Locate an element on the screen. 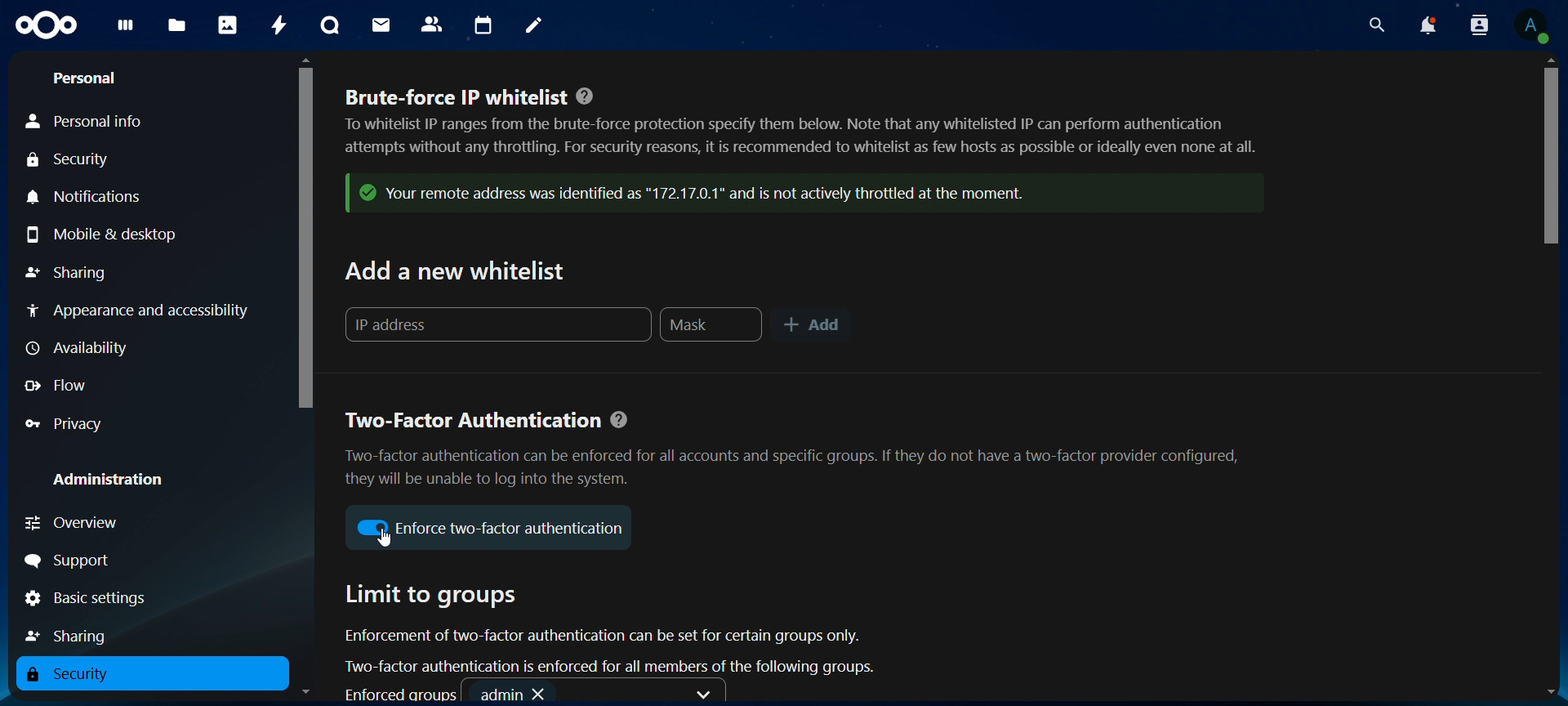 The height and width of the screenshot is (706, 1568). flow is located at coordinates (56, 387).